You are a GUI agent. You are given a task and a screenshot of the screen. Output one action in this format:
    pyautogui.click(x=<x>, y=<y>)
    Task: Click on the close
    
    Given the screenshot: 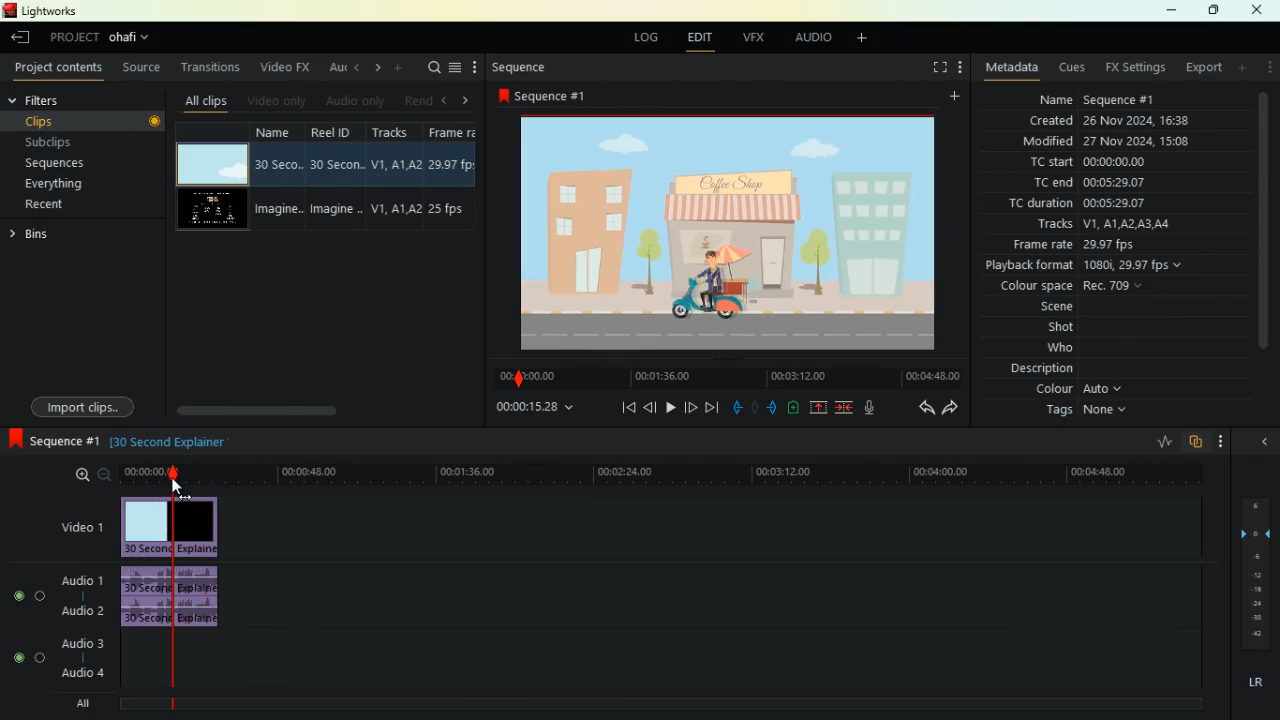 What is the action you would take?
    pyautogui.click(x=1257, y=10)
    